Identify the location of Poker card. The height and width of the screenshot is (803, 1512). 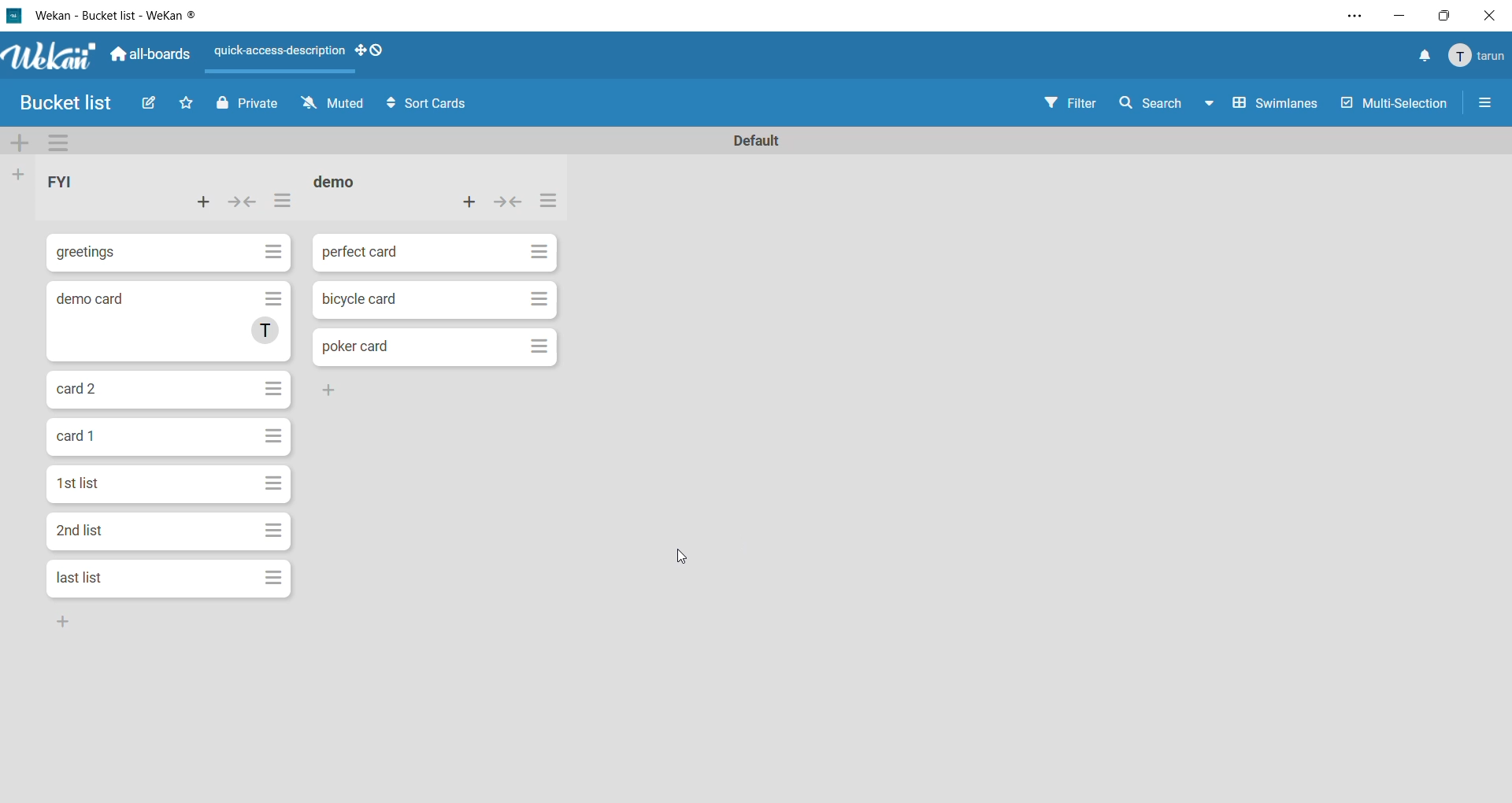
(437, 346).